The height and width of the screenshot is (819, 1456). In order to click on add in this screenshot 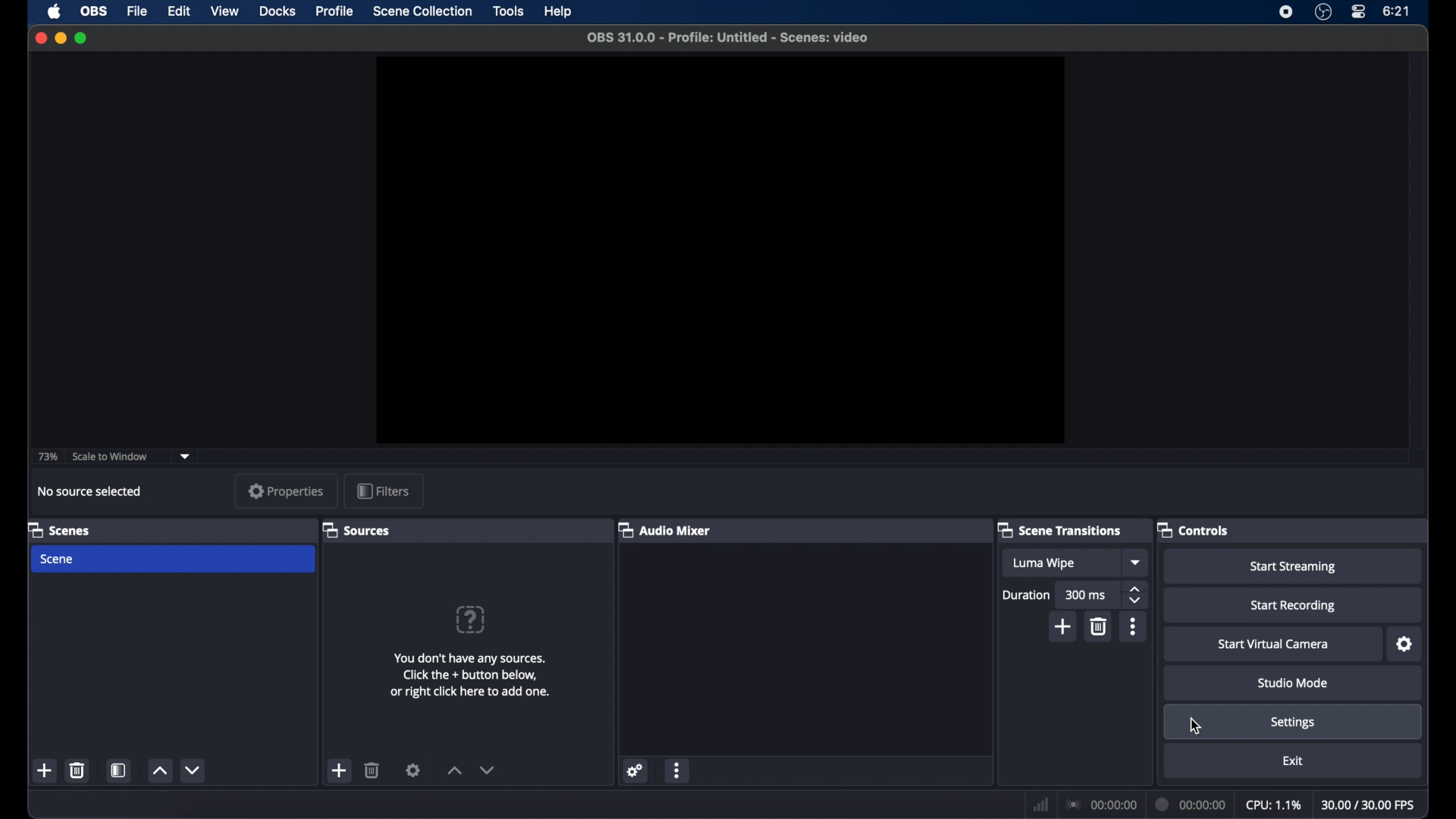, I will do `click(1064, 626)`.